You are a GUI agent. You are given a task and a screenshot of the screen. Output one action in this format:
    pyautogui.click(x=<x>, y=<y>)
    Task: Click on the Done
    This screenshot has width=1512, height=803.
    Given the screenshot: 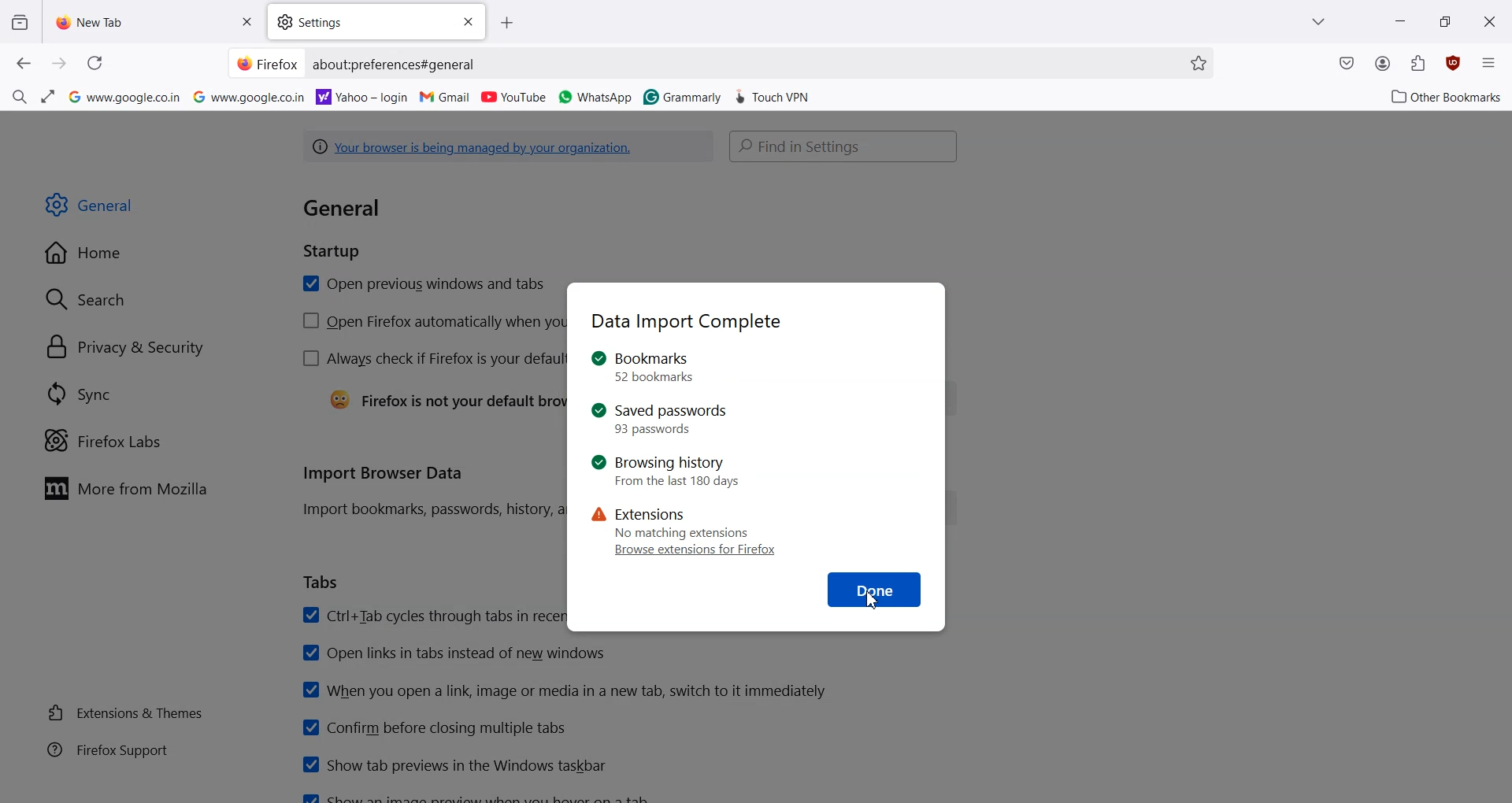 What is the action you would take?
    pyautogui.click(x=876, y=589)
    